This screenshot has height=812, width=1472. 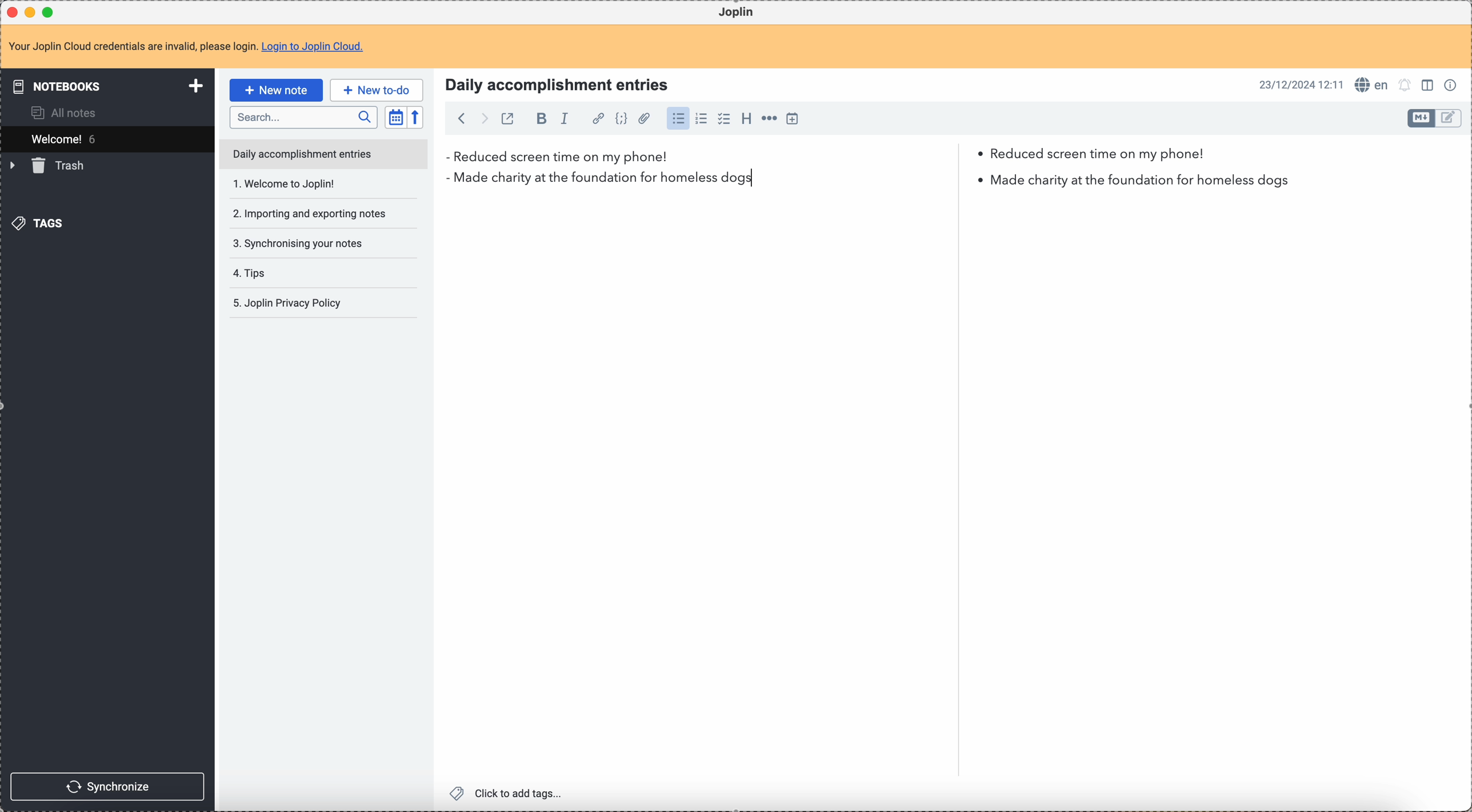 What do you see at coordinates (738, 13) in the screenshot?
I see `Joplin` at bounding box center [738, 13].